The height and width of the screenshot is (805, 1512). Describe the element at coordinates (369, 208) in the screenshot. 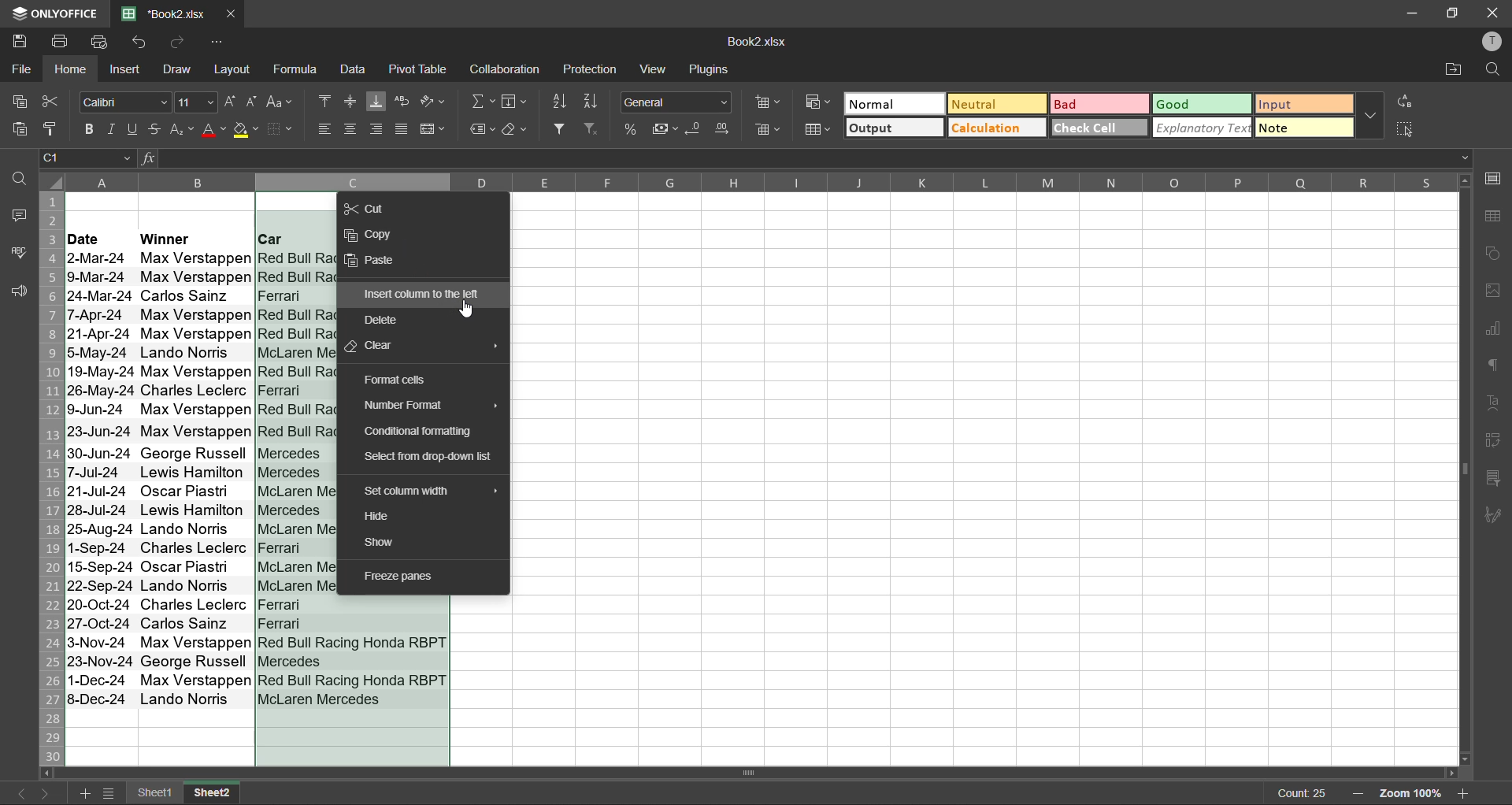

I see `cut` at that location.